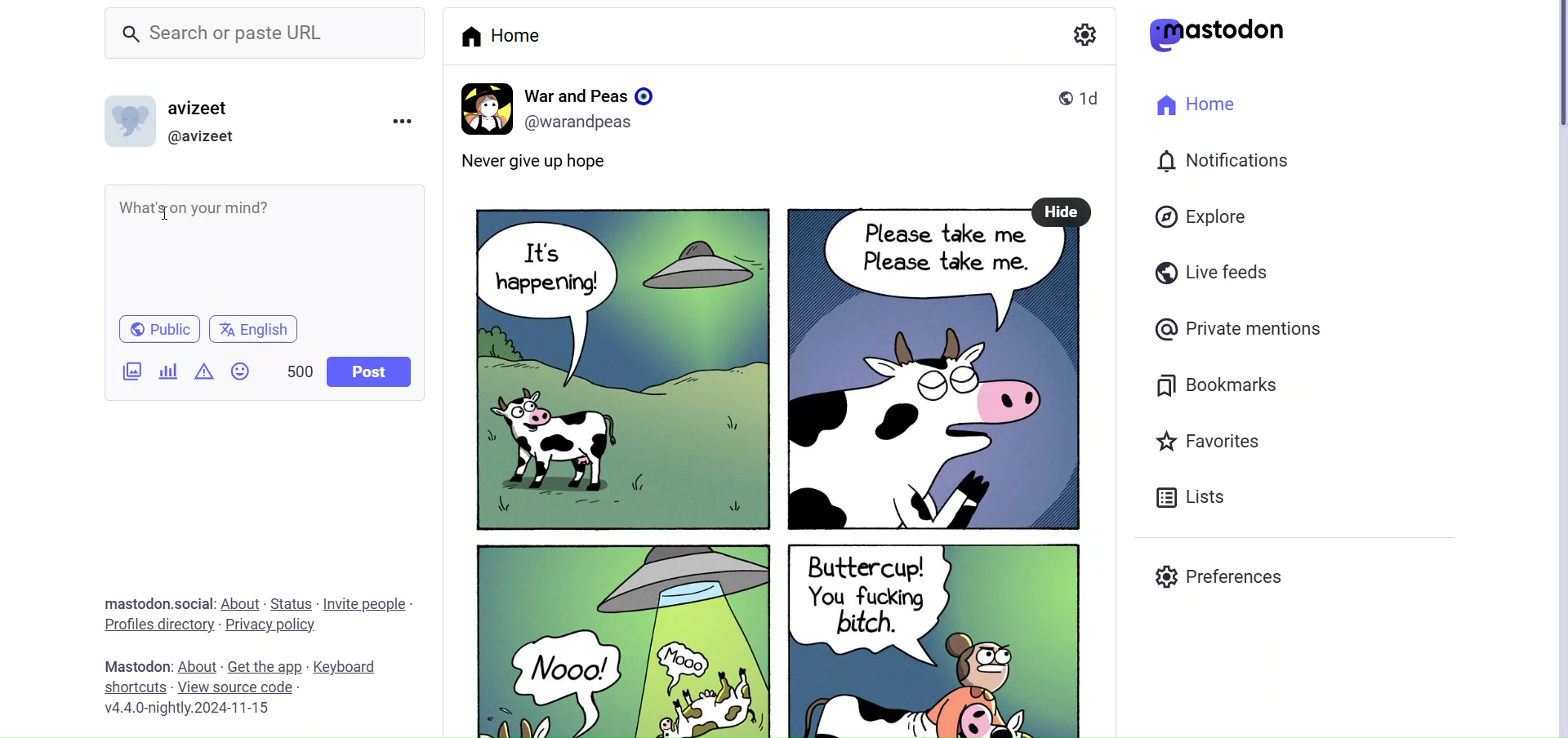 The width and height of the screenshot is (1568, 738). What do you see at coordinates (773, 482) in the screenshot?
I see `Post` at bounding box center [773, 482].